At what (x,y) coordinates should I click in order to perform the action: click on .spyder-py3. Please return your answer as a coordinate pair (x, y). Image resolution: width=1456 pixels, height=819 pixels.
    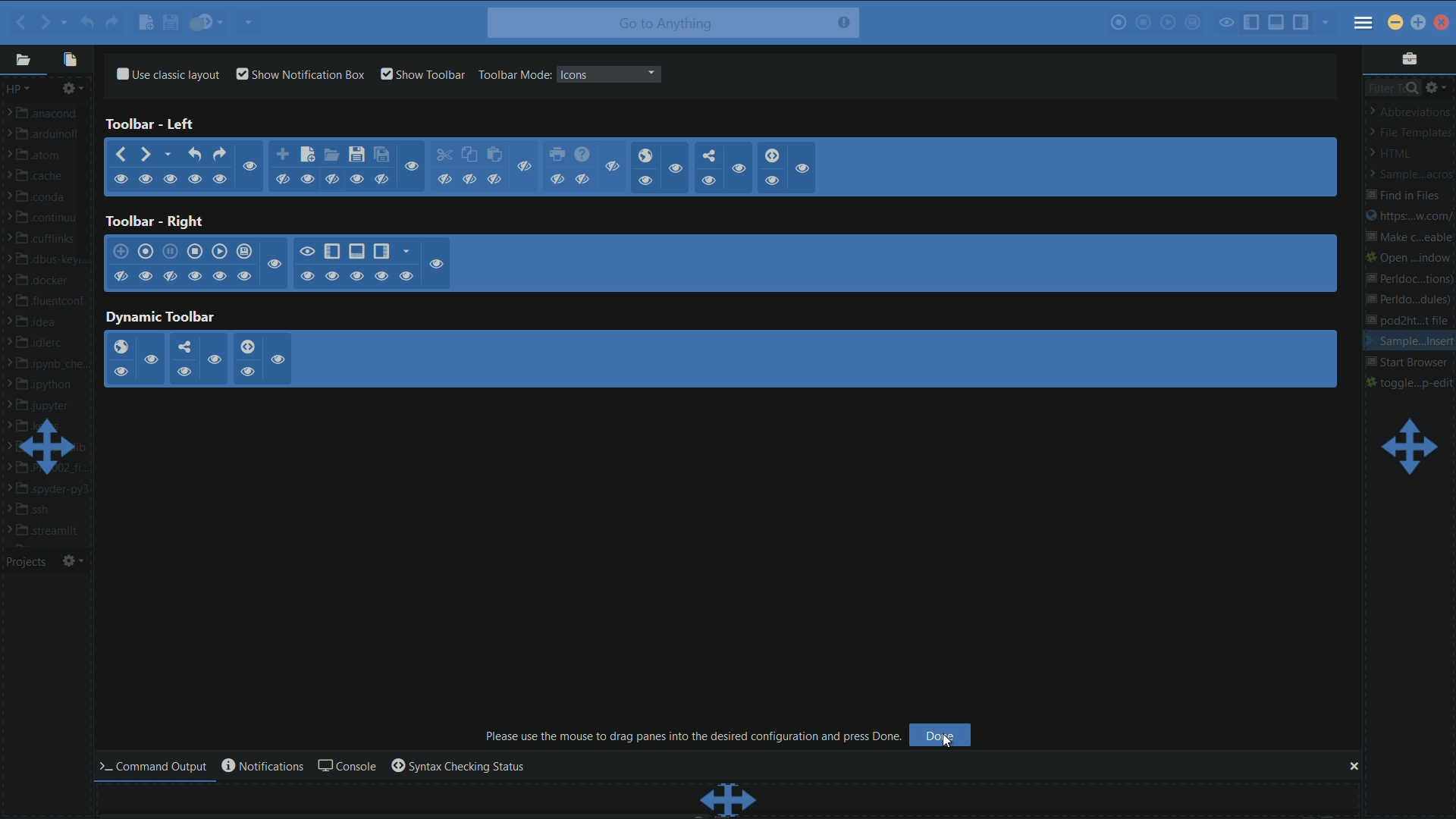
    Looking at the image, I should click on (53, 490).